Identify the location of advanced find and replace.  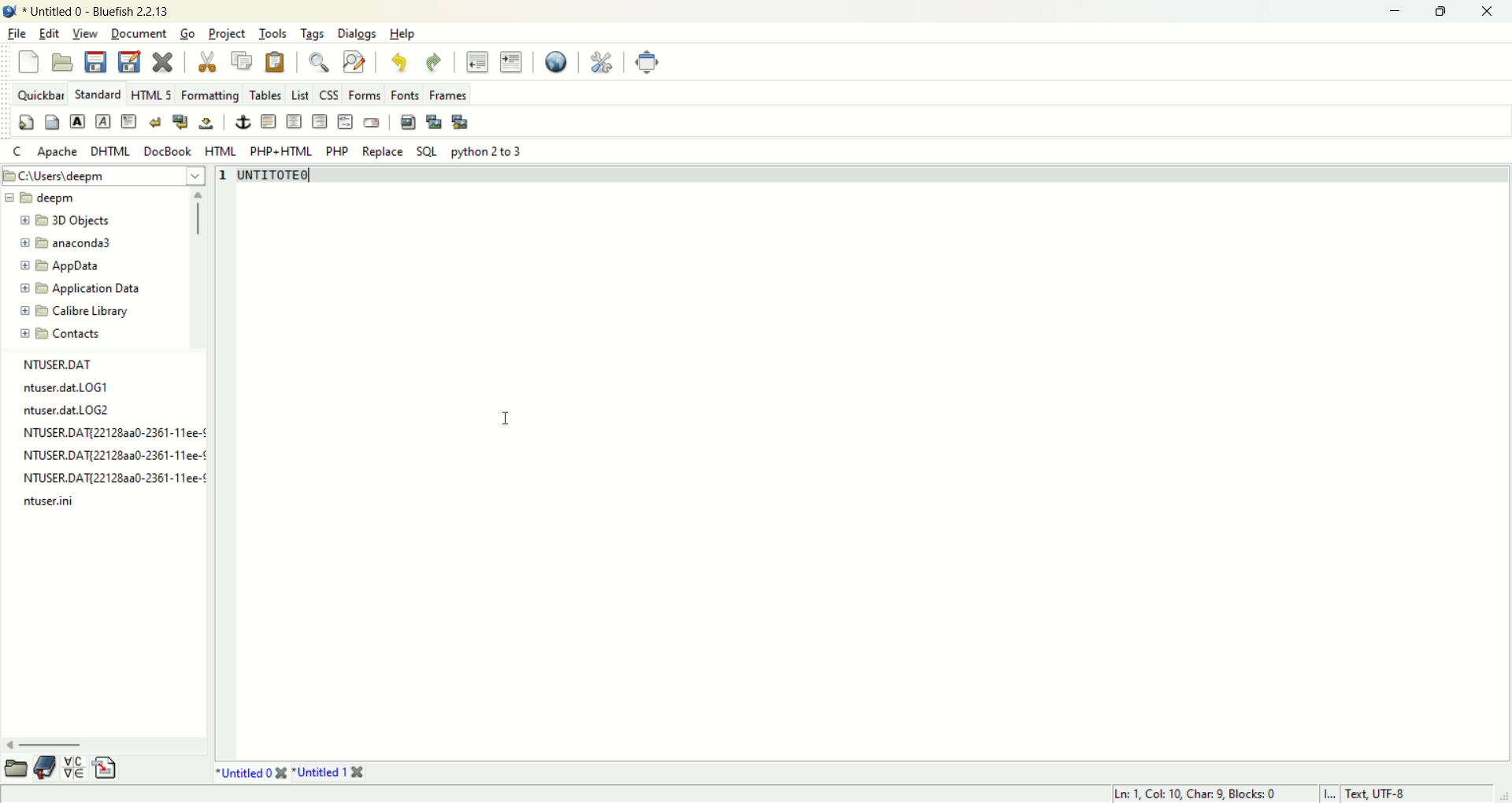
(354, 61).